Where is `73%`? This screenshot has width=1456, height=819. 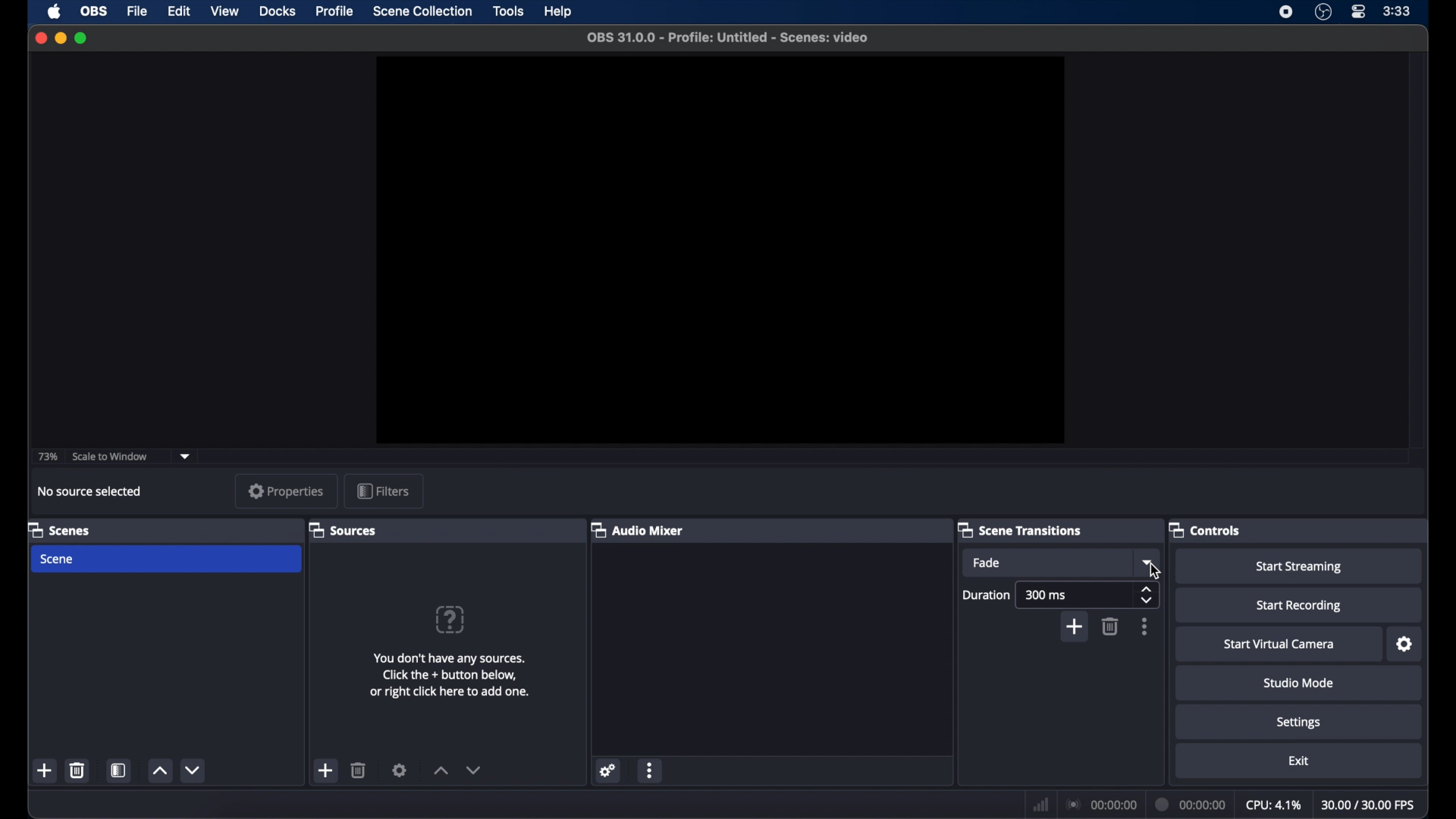
73% is located at coordinates (45, 457).